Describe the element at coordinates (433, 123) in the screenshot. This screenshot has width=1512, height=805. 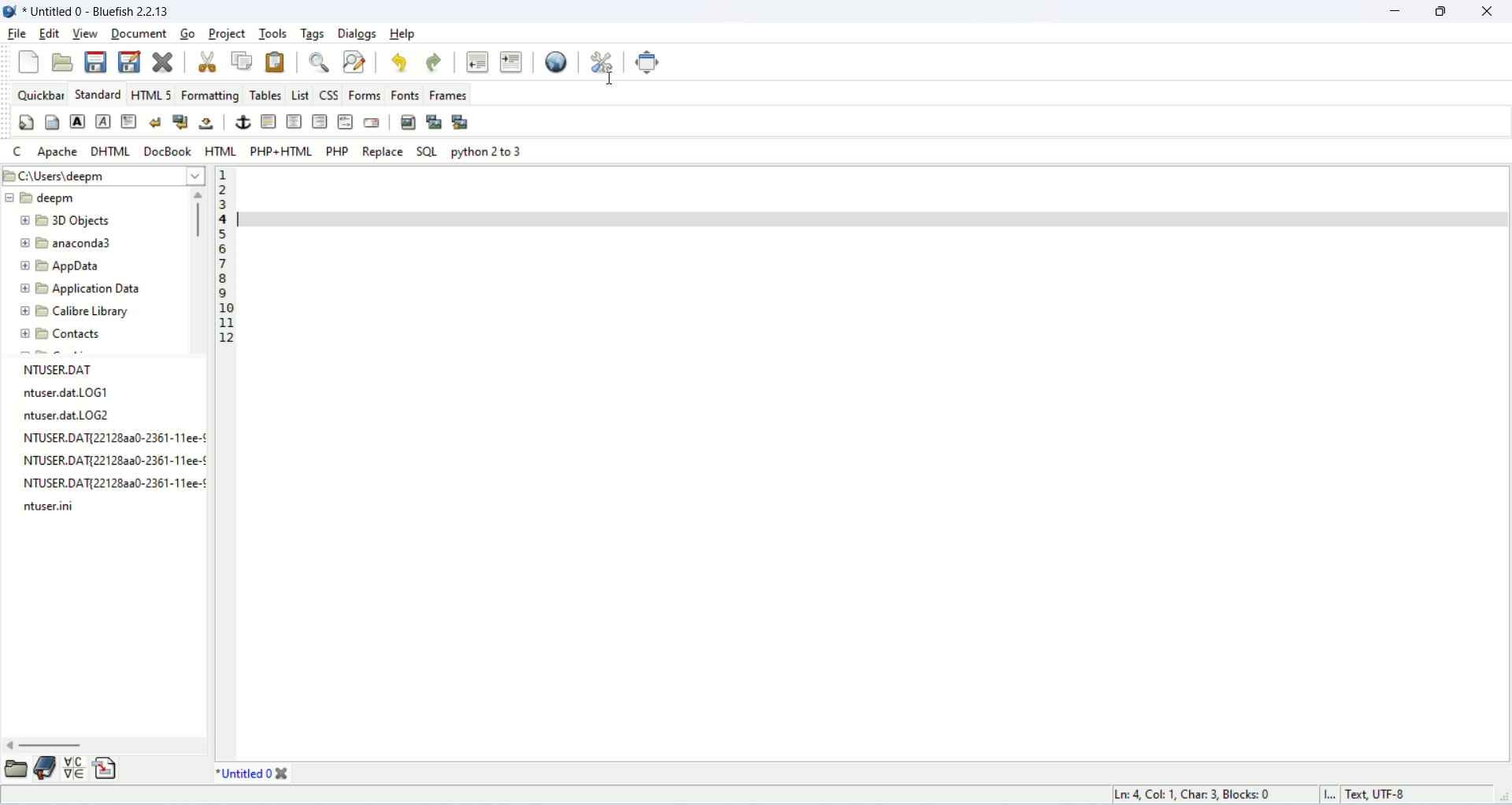
I see `insert thumbnail` at that location.